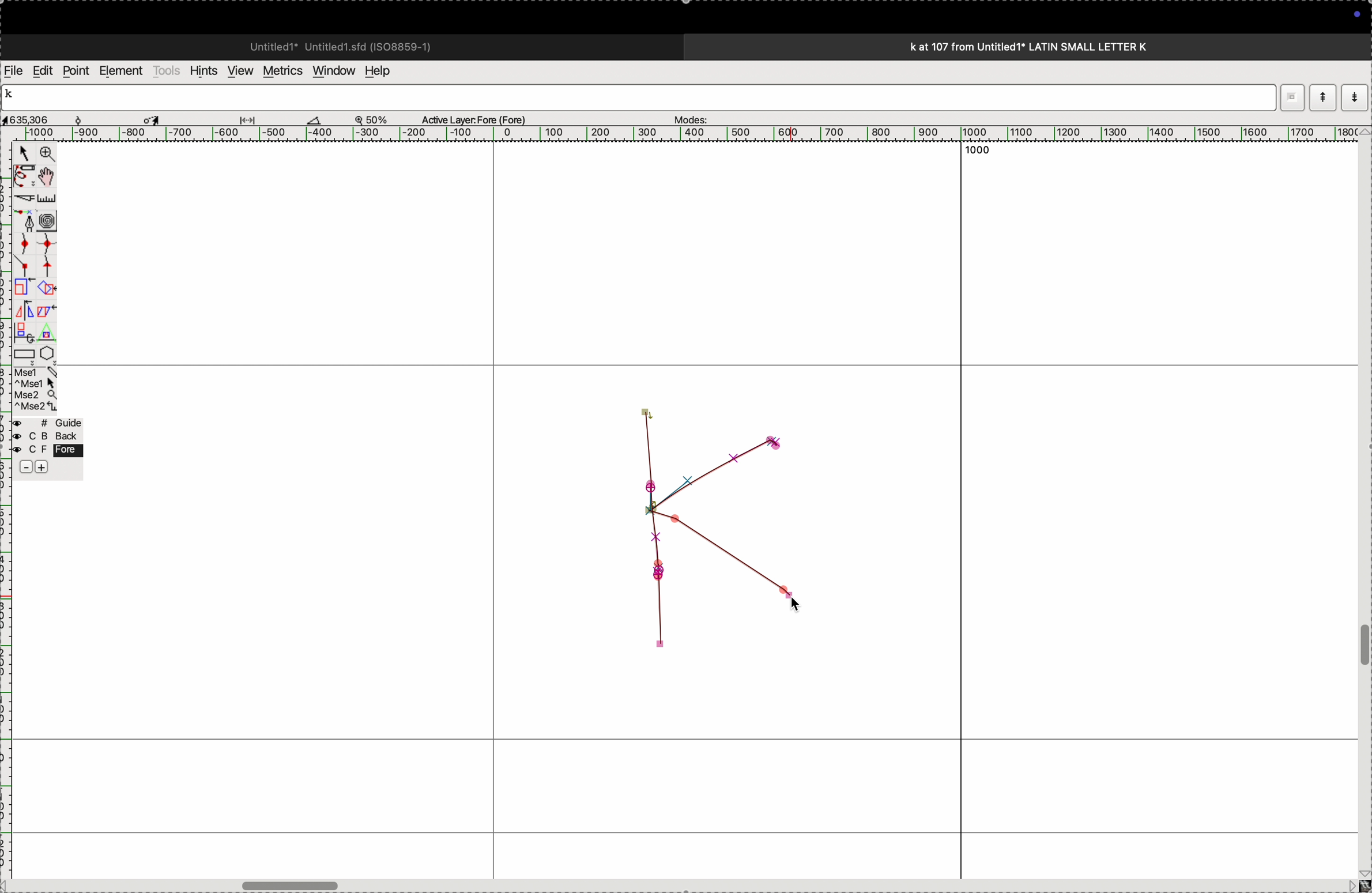  I want to click on mse, so click(36, 390).